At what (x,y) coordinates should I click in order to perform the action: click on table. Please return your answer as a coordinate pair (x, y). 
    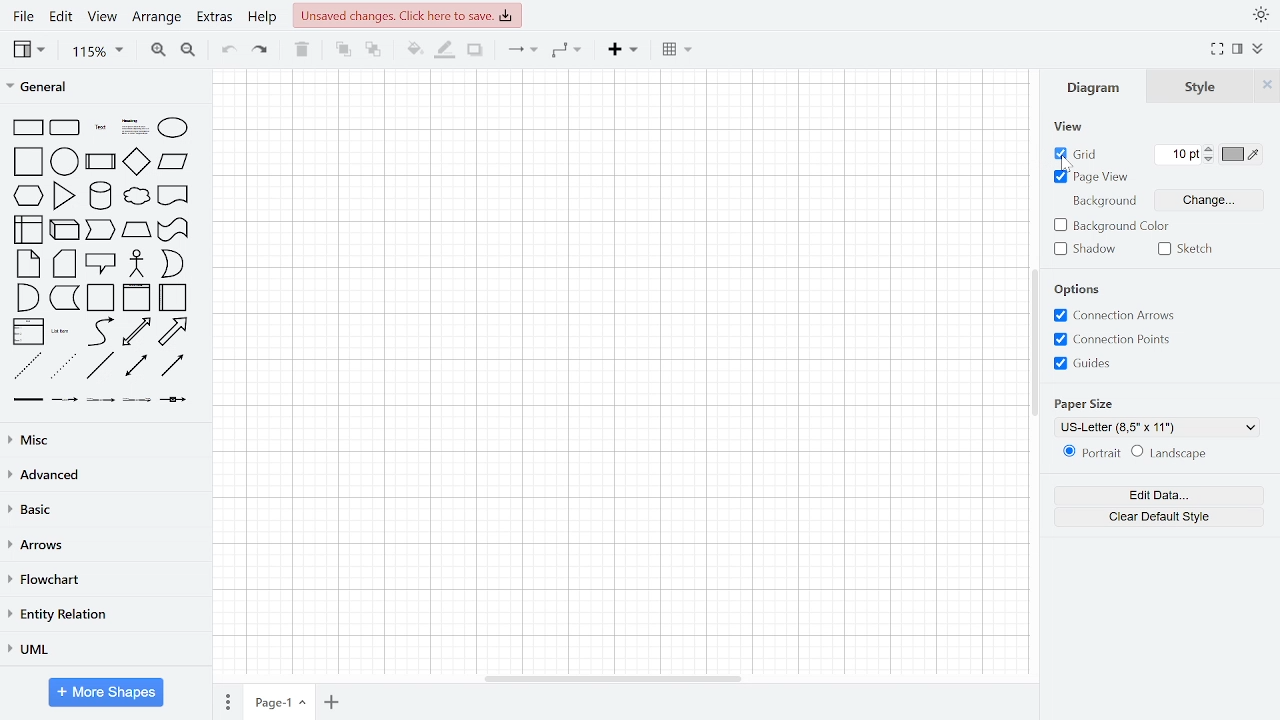
    Looking at the image, I should click on (678, 48).